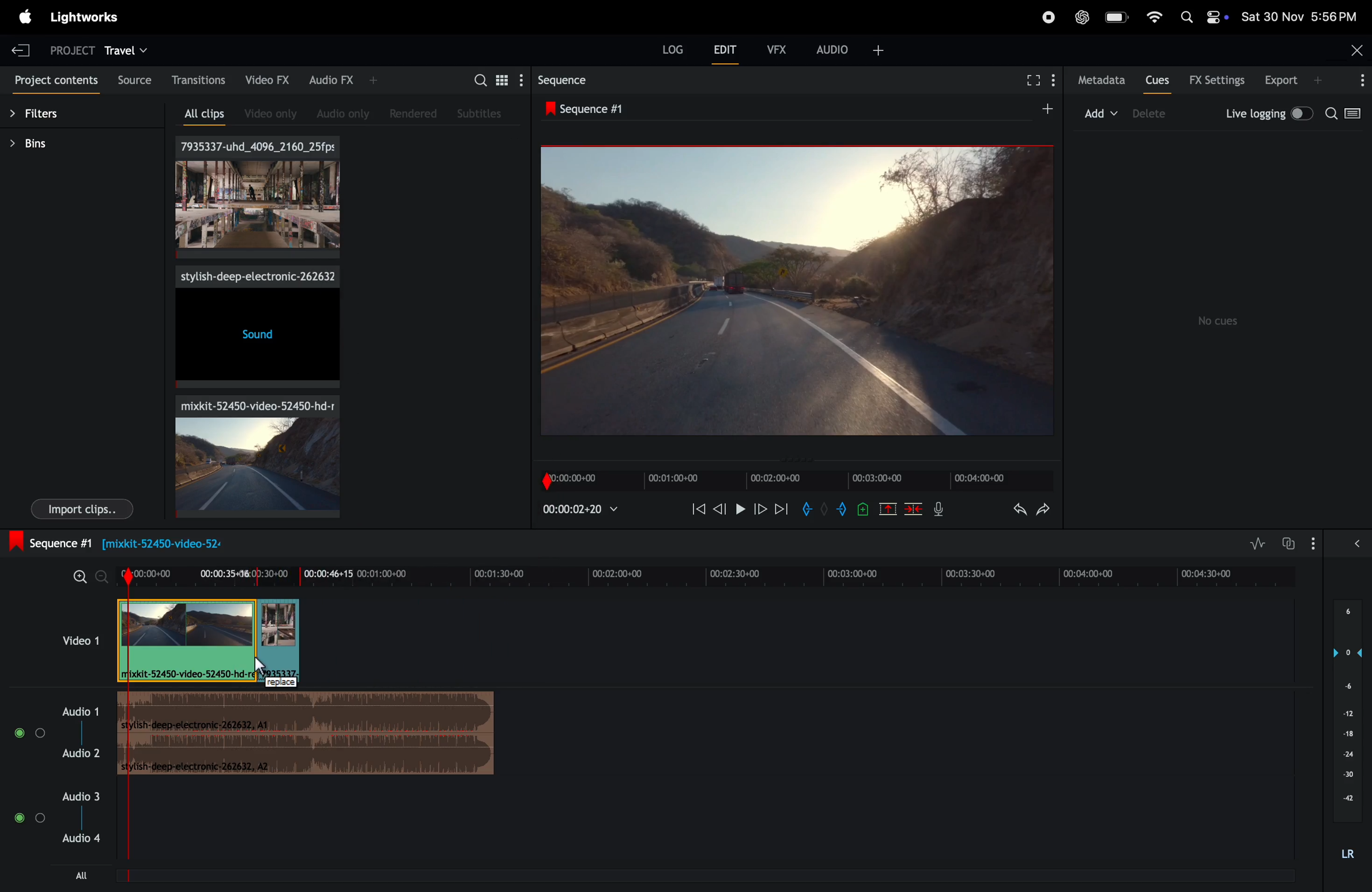 The width and height of the screenshot is (1372, 892). What do you see at coordinates (1081, 18) in the screenshot?
I see `chatgpt` at bounding box center [1081, 18].